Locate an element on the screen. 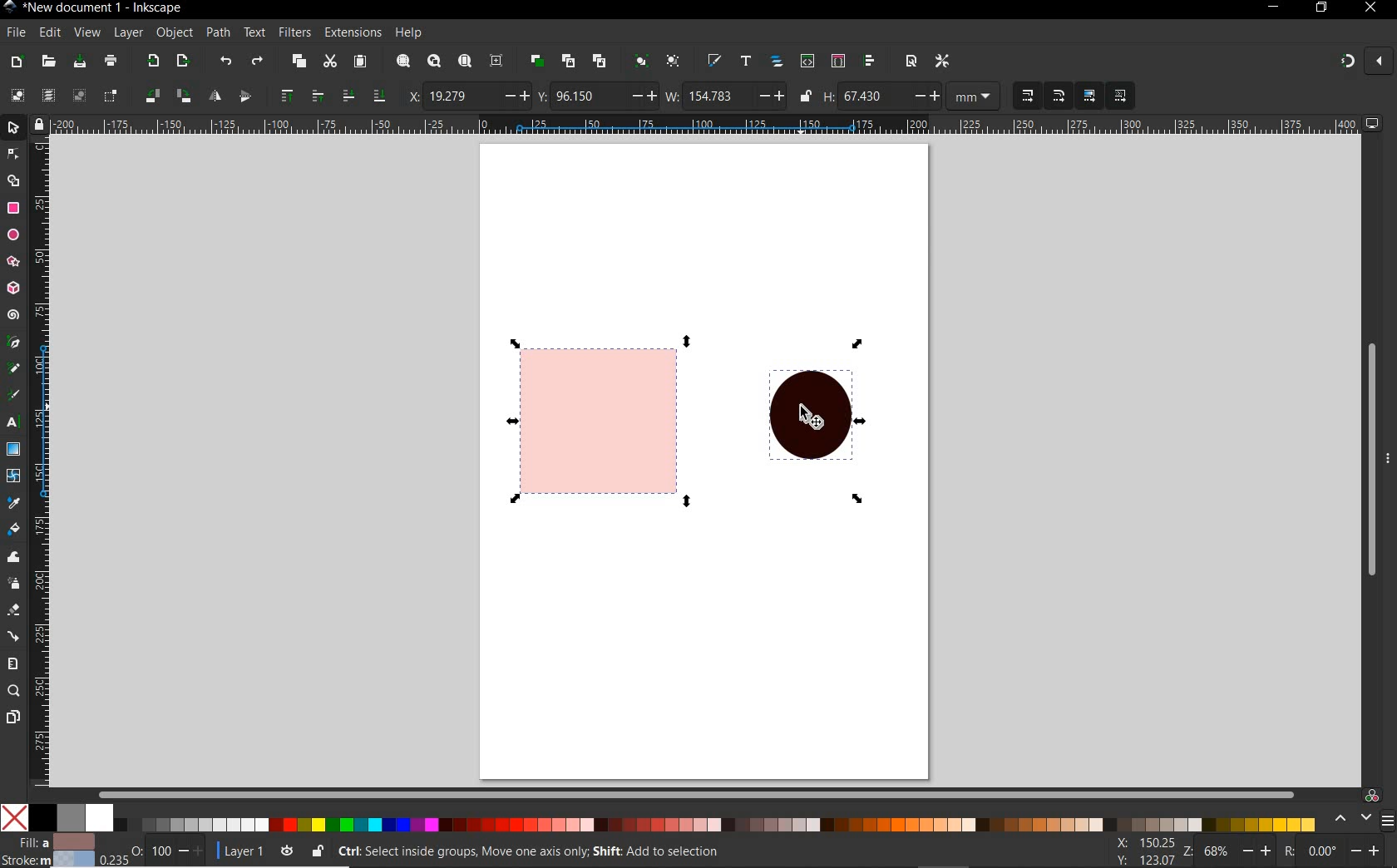  object flip horizontal is located at coordinates (215, 96).